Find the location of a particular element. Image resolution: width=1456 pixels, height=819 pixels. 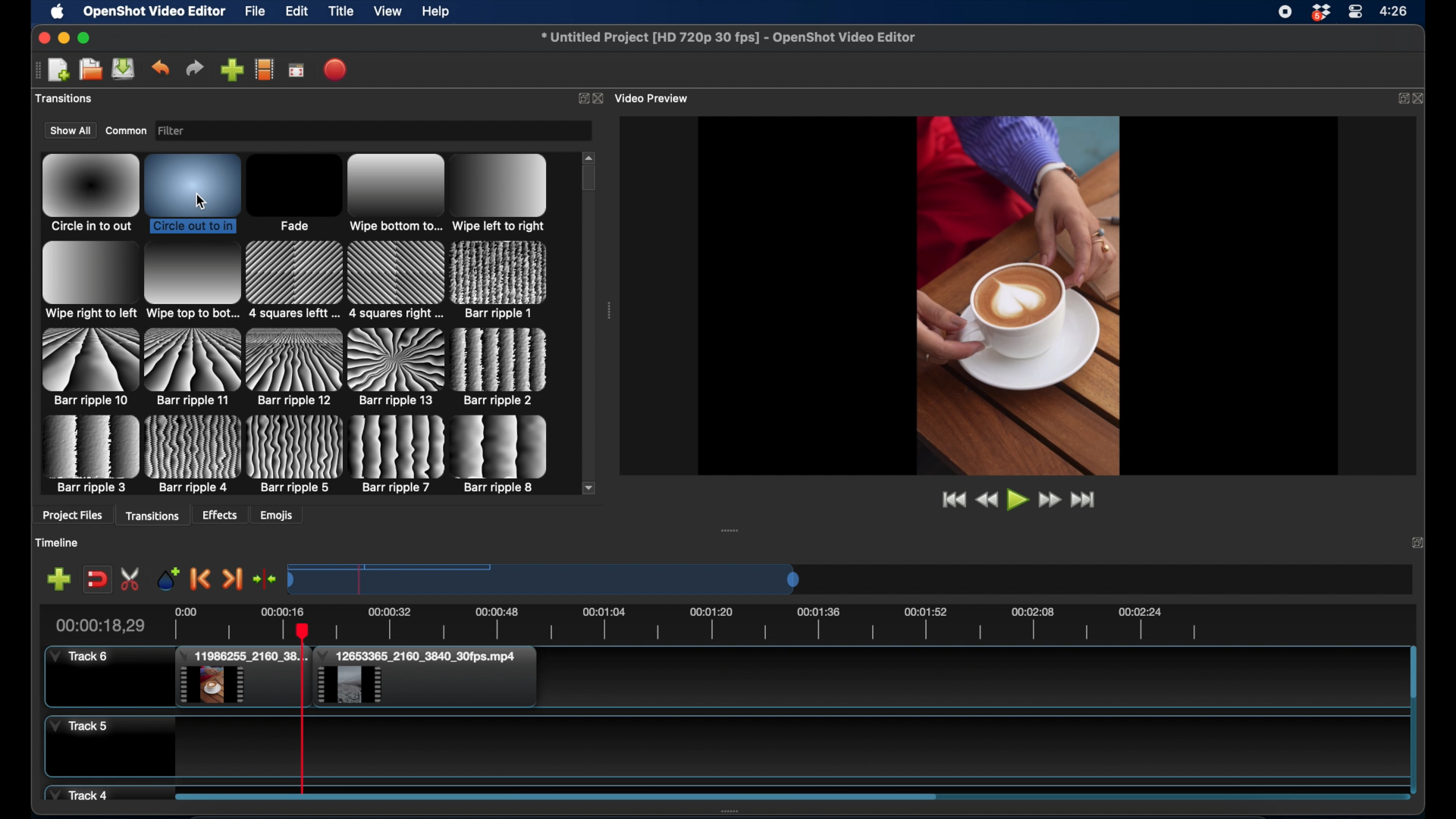

jump to end is located at coordinates (1086, 500).